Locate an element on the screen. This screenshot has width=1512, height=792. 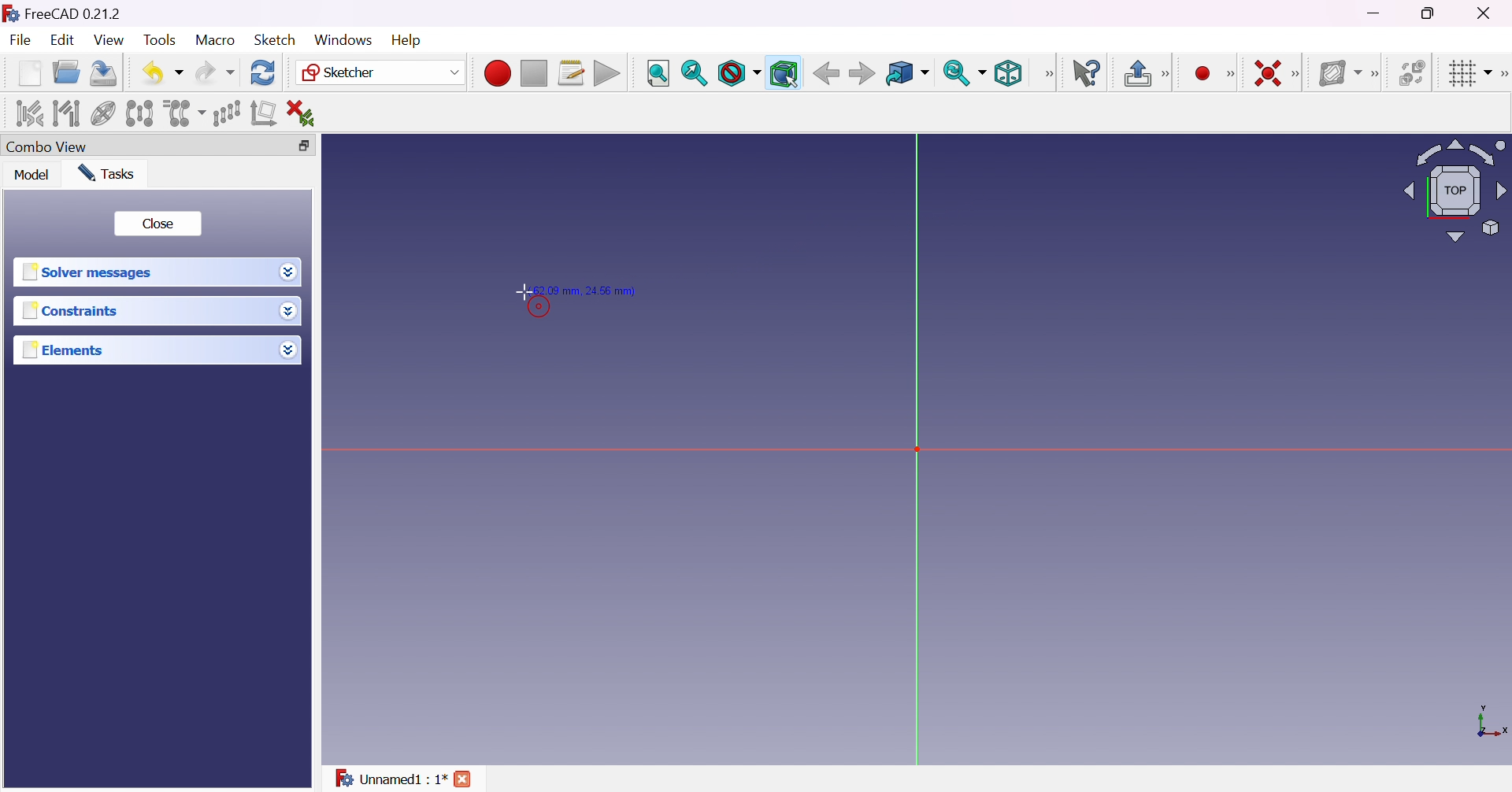
Clone is located at coordinates (183, 112).